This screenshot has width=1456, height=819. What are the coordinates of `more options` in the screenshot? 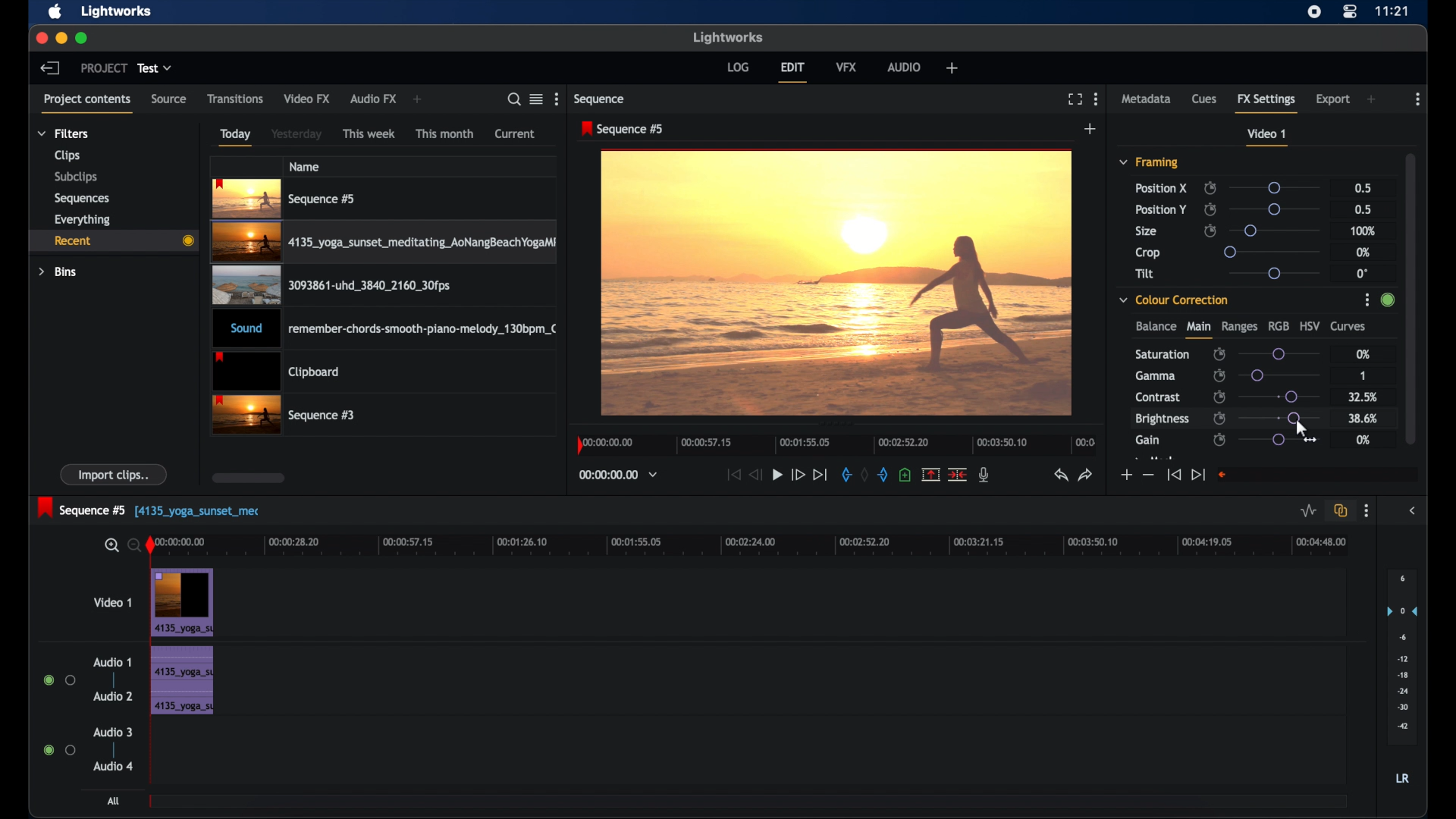 It's located at (1366, 511).